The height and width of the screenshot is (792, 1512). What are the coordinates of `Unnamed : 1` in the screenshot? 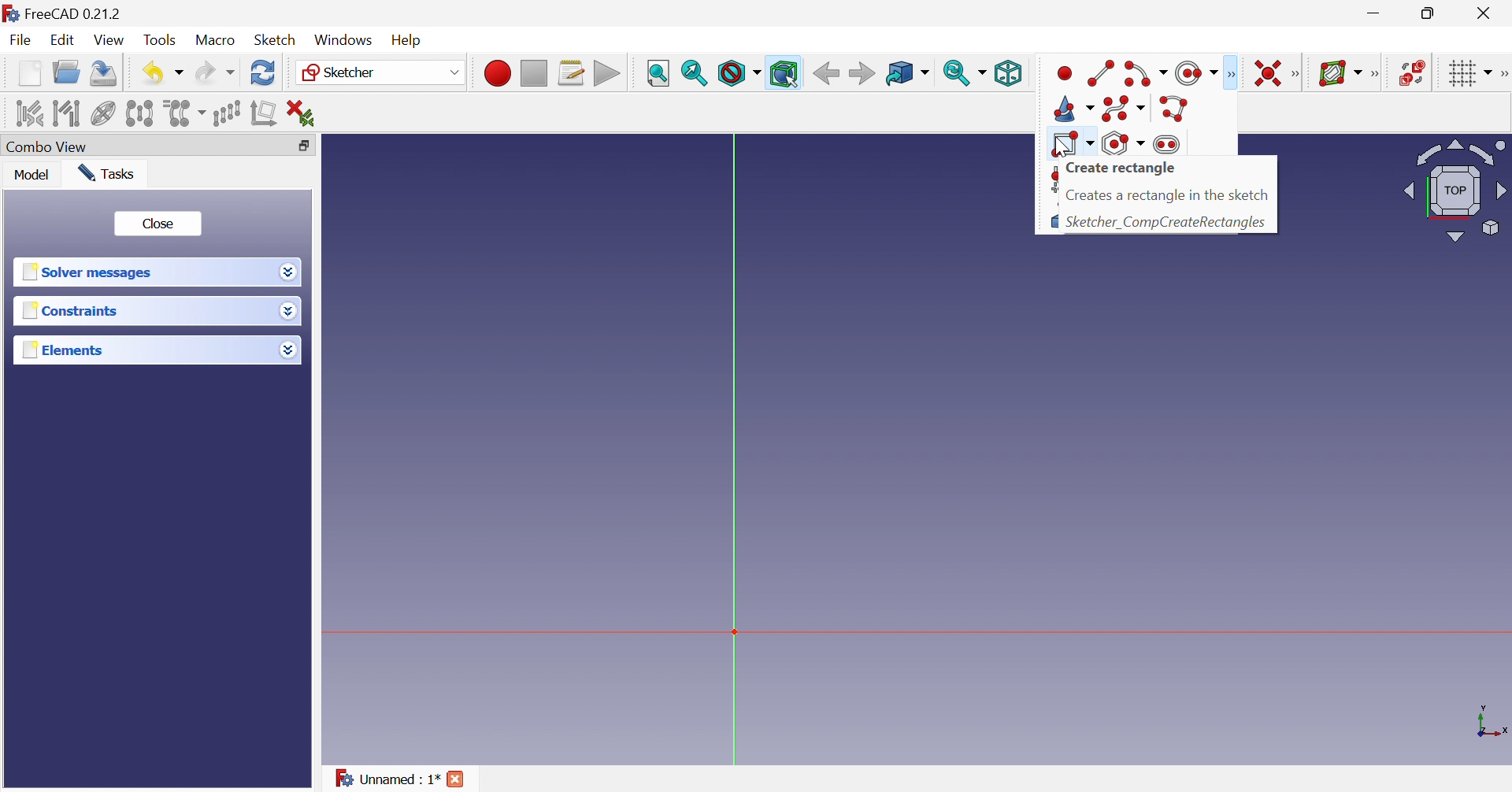 It's located at (387, 779).